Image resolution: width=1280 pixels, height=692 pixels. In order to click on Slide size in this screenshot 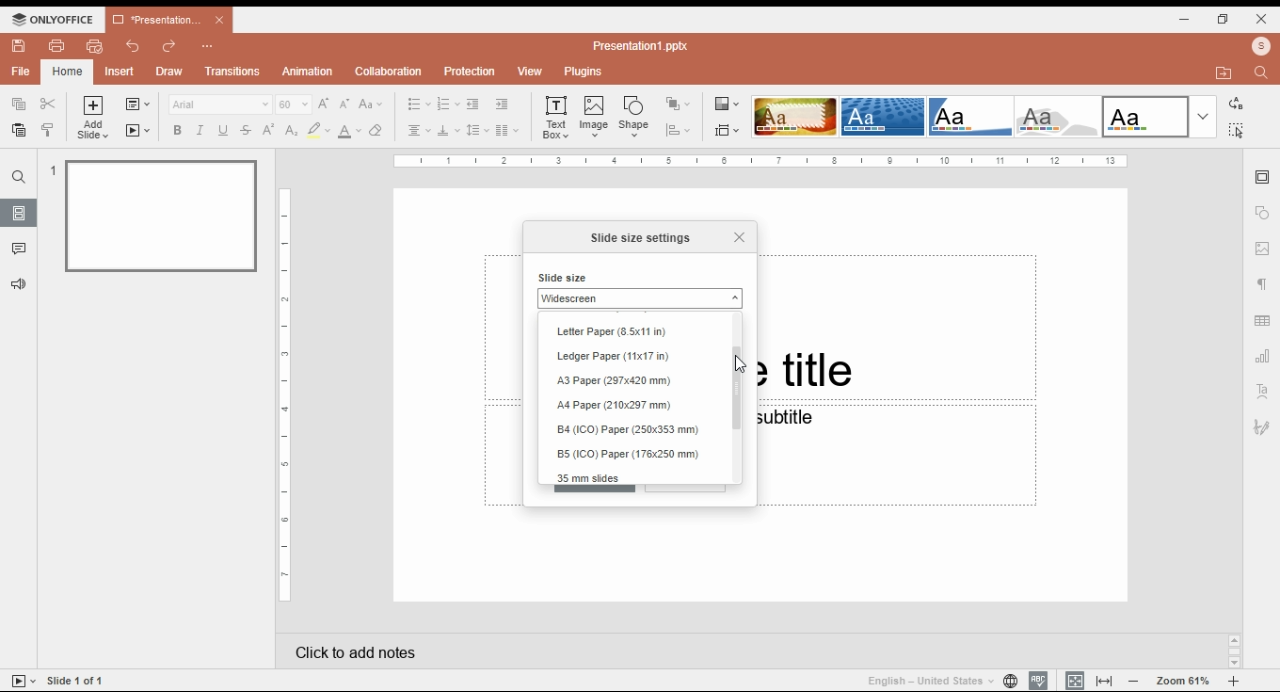, I will do `click(564, 277)`.